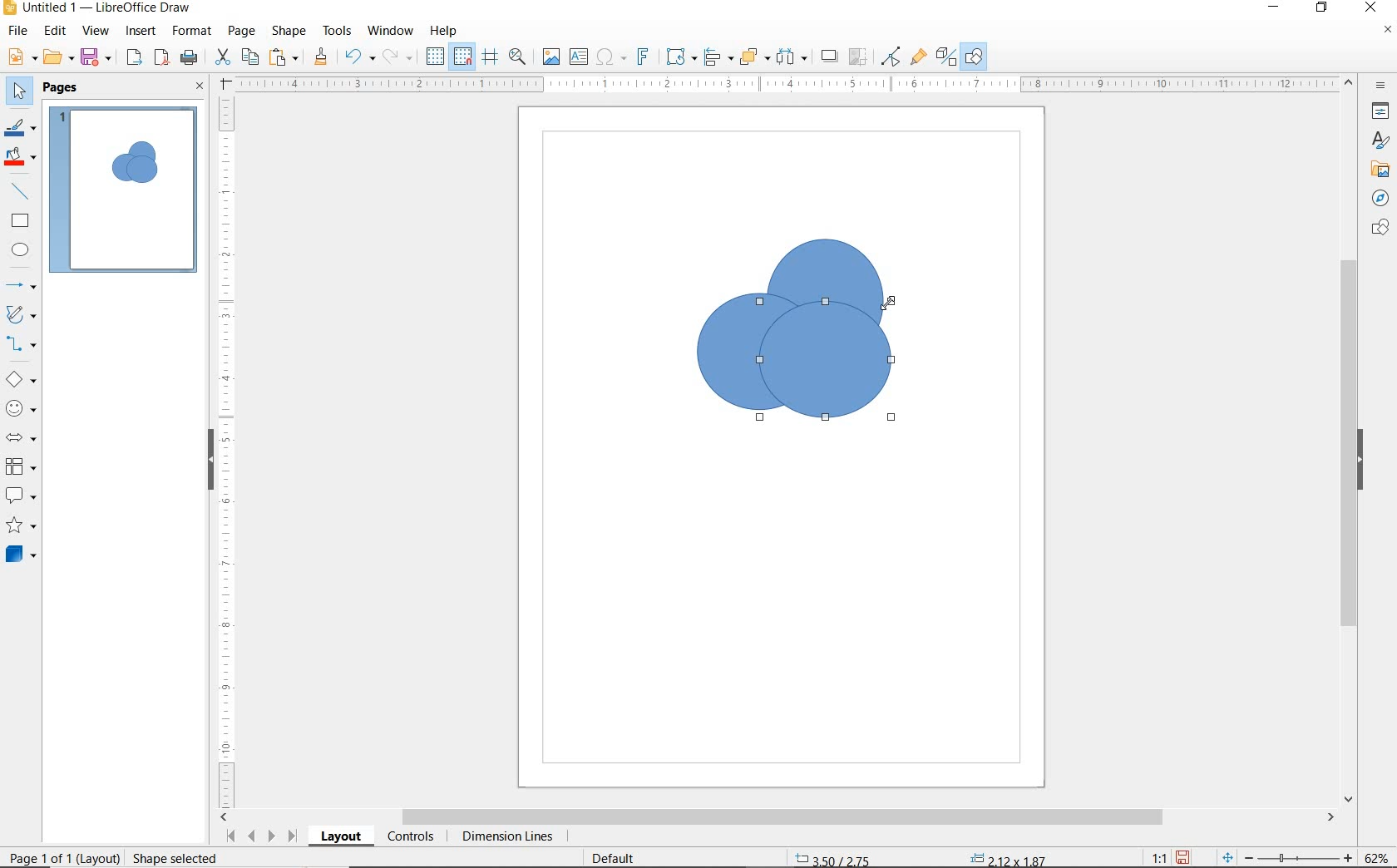 Image resolution: width=1397 pixels, height=868 pixels. I want to click on ELLIPSE, so click(21, 251).